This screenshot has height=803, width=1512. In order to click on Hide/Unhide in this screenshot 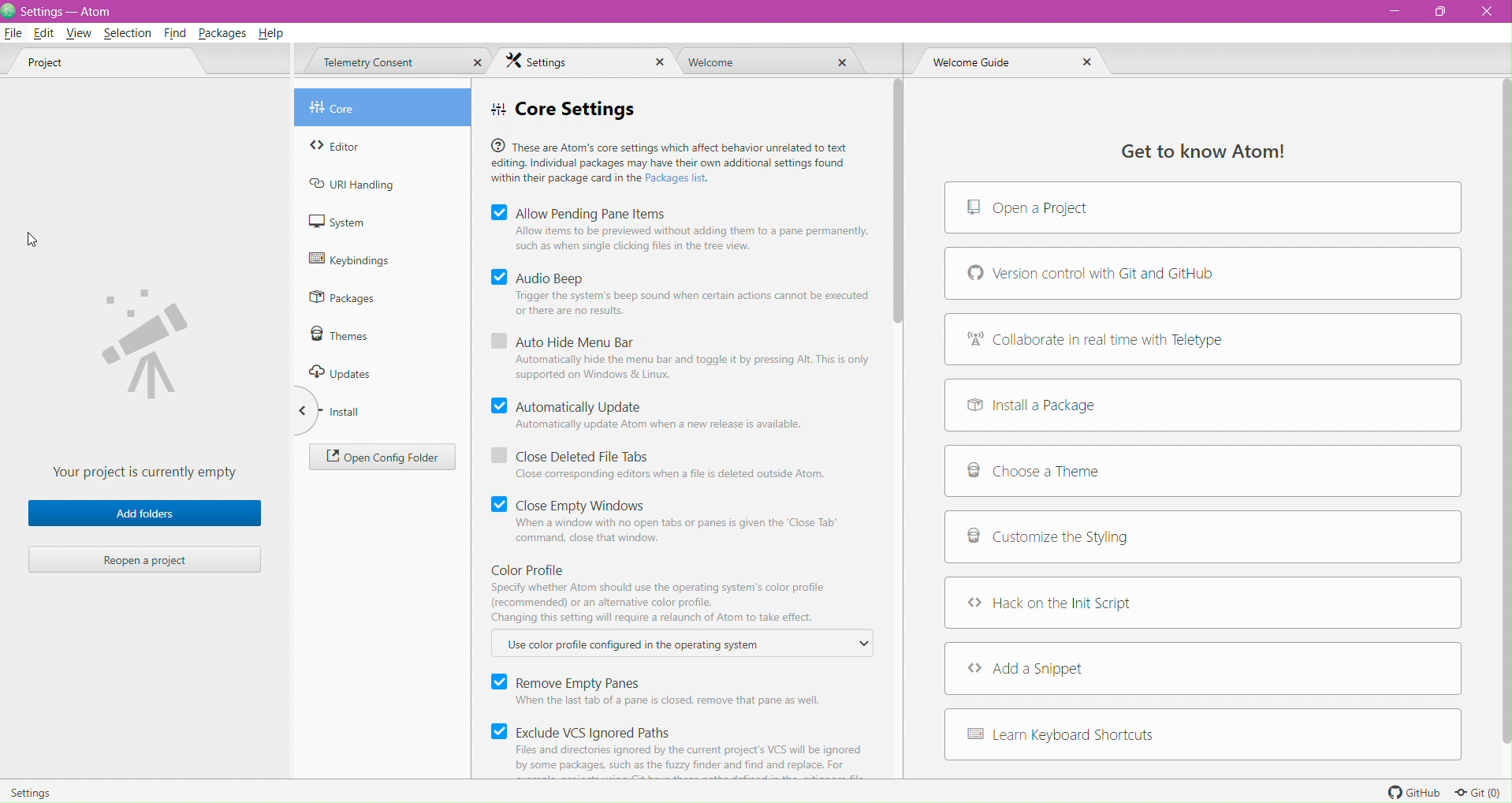, I will do `click(297, 413)`.